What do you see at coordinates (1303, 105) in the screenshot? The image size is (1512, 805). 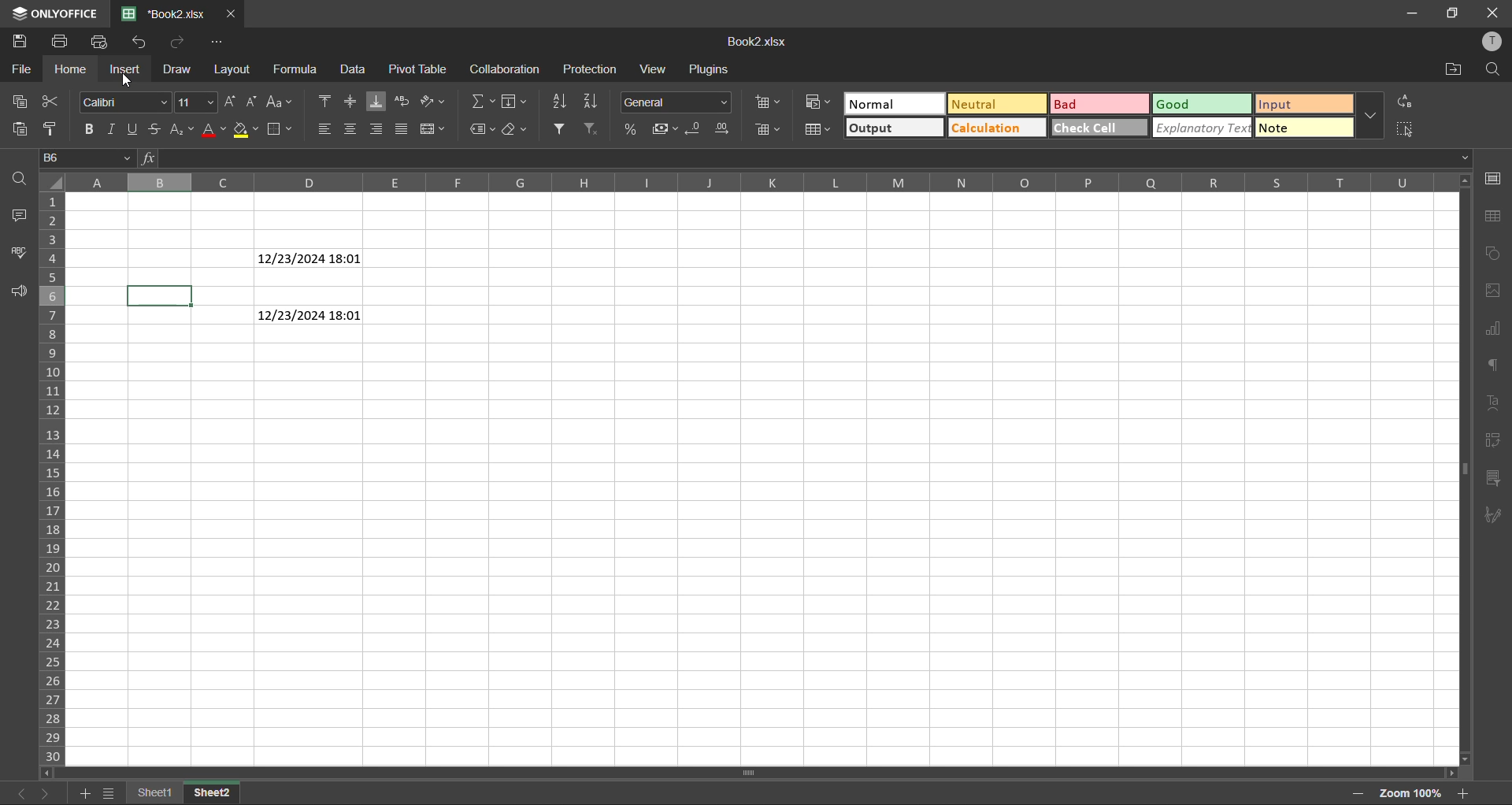 I see `input` at bounding box center [1303, 105].